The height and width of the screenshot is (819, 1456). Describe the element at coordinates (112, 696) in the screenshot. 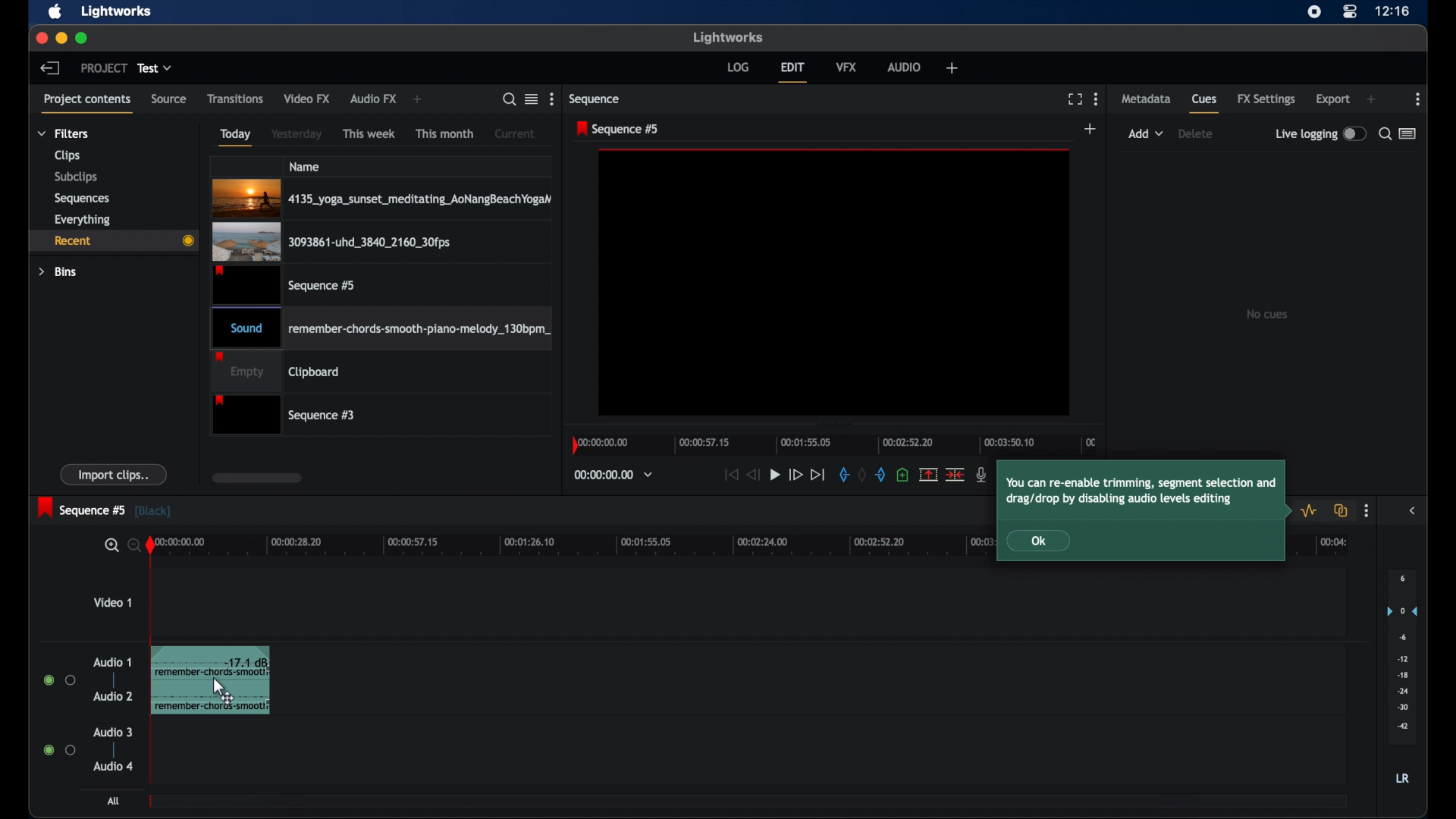

I see `audio 2` at that location.